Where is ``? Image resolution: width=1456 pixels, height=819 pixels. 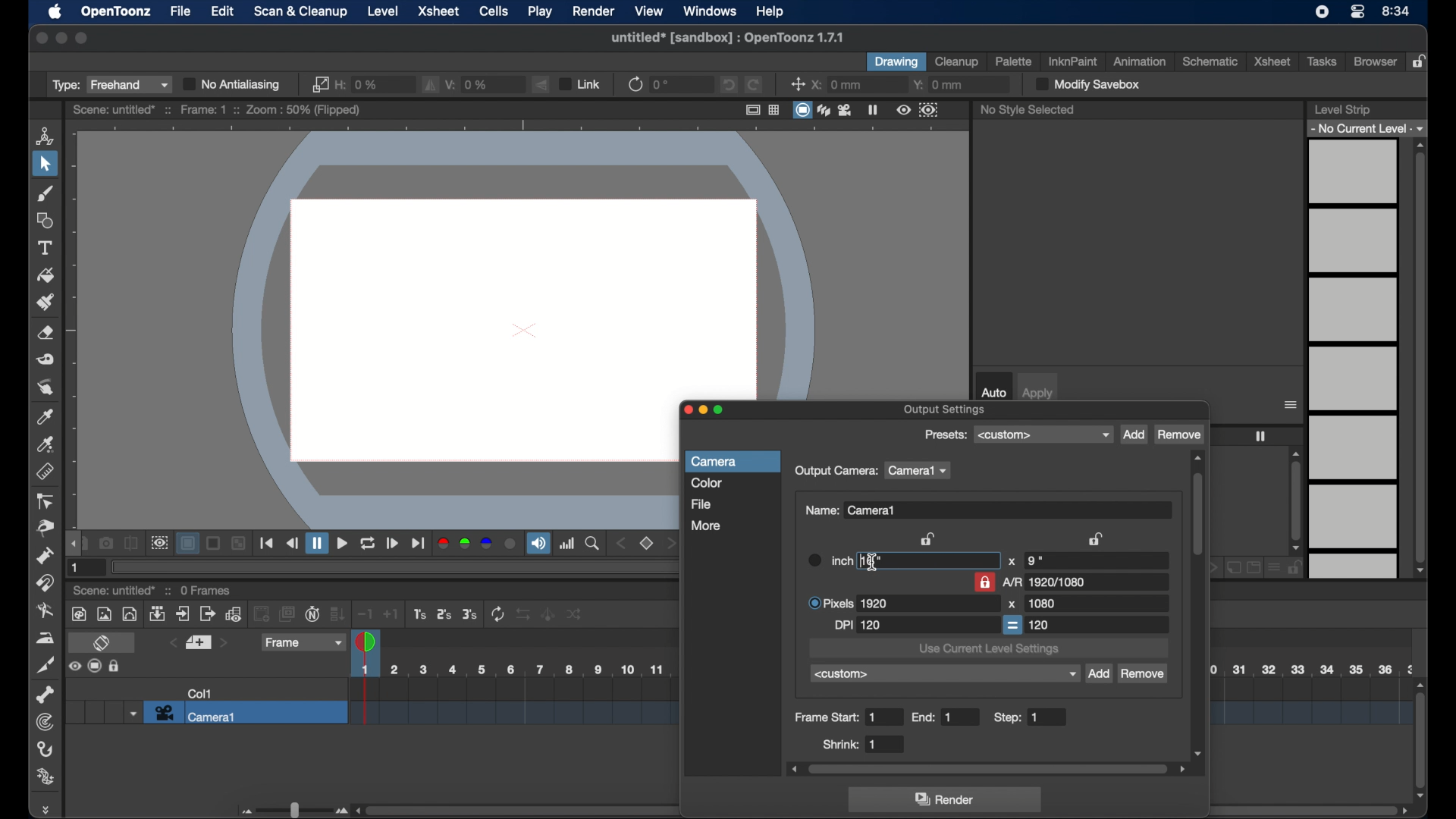
 is located at coordinates (291, 544).